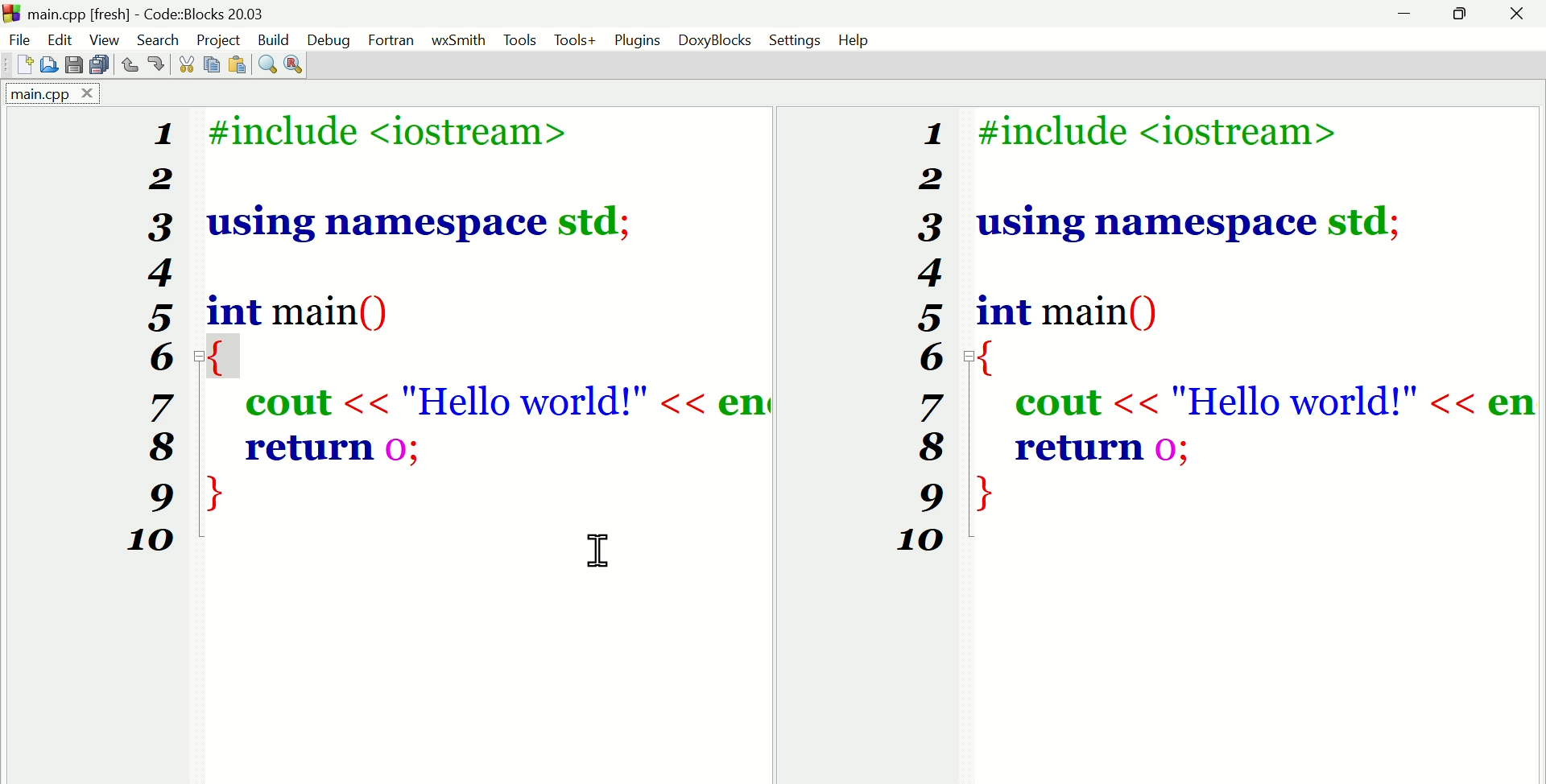  Describe the element at coordinates (276, 40) in the screenshot. I see `Build` at that location.